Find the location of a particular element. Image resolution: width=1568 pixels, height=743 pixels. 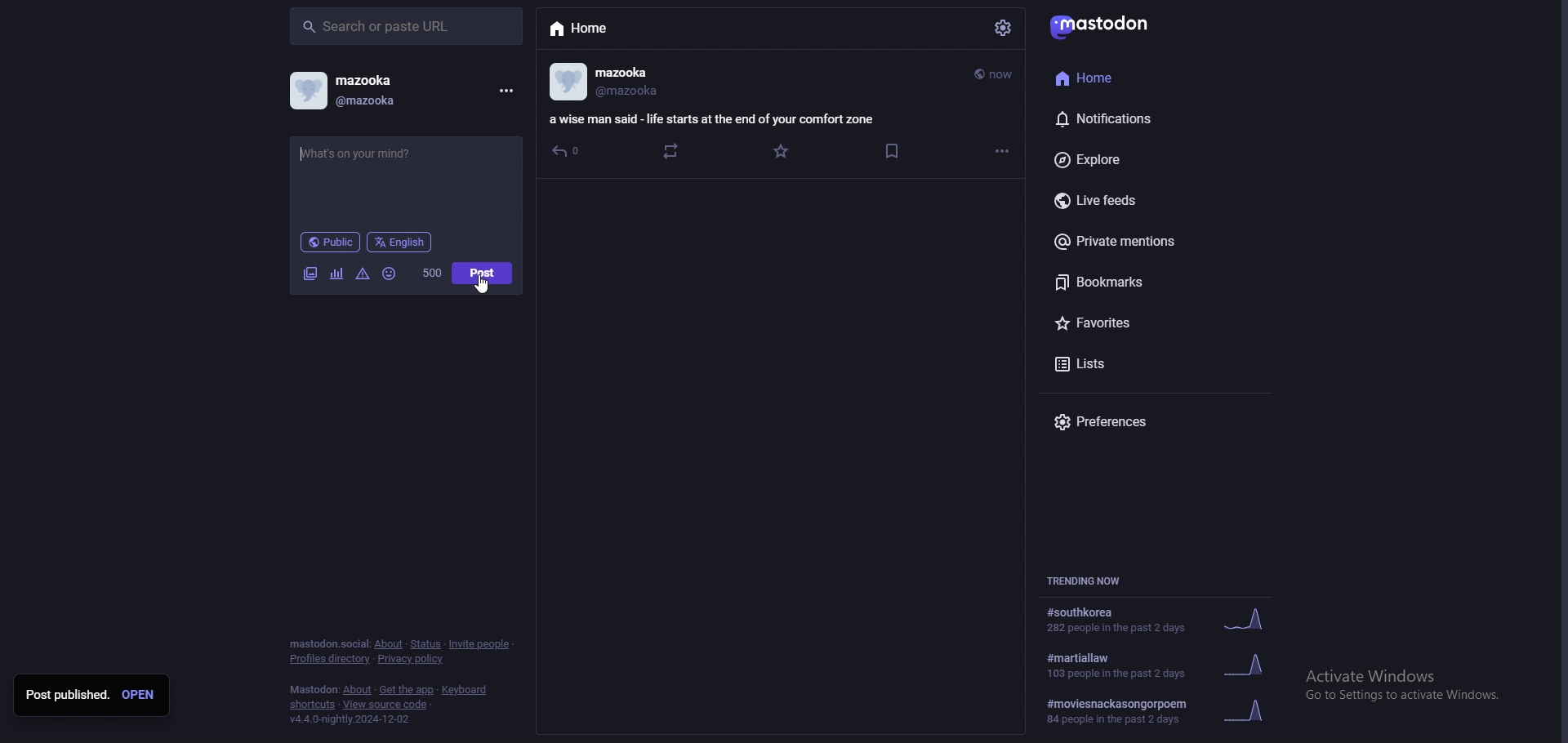

notifications is located at coordinates (1132, 117).